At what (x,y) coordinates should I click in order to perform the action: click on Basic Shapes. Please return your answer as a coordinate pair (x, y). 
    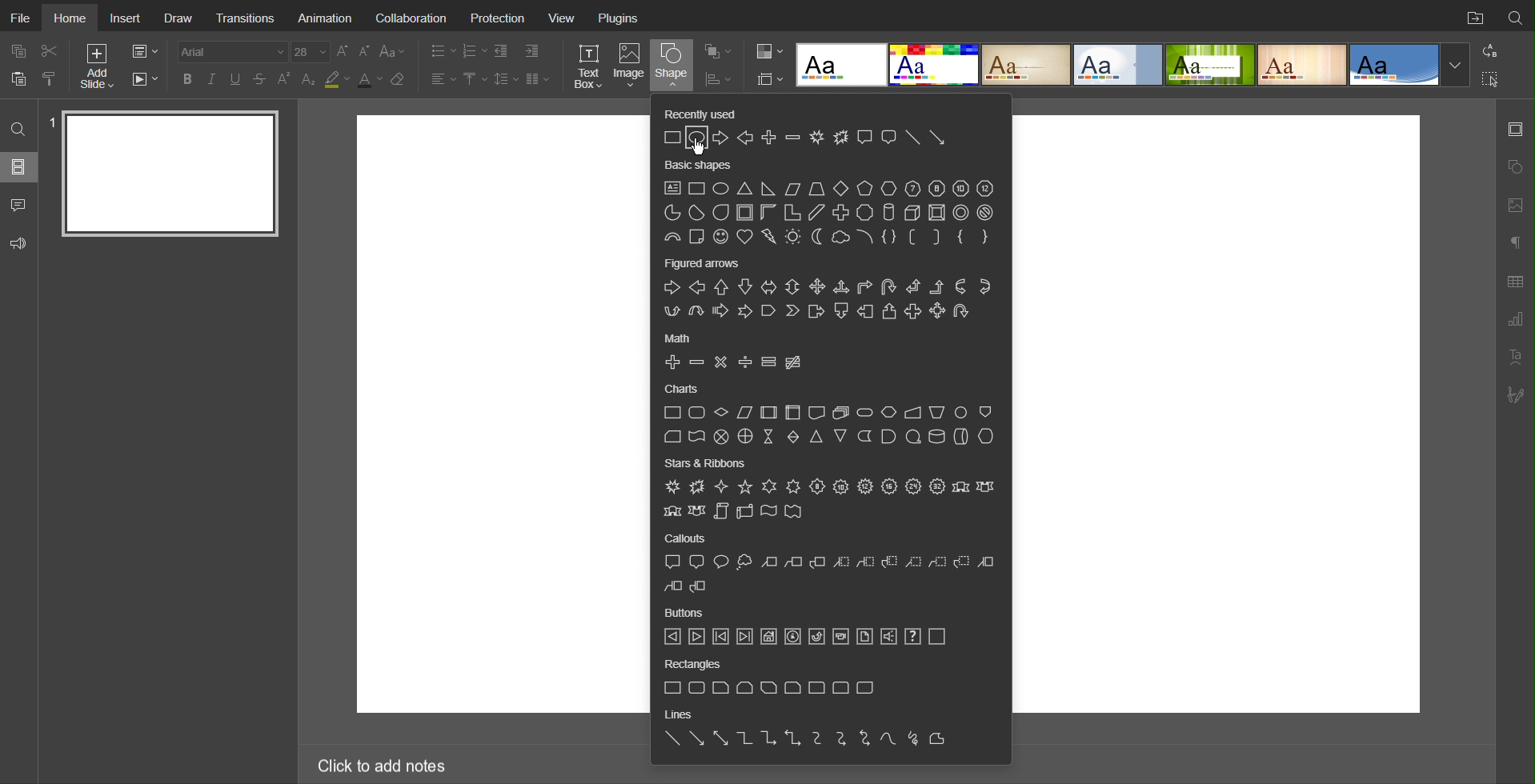
    Looking at the image, I should click on (828, 205).